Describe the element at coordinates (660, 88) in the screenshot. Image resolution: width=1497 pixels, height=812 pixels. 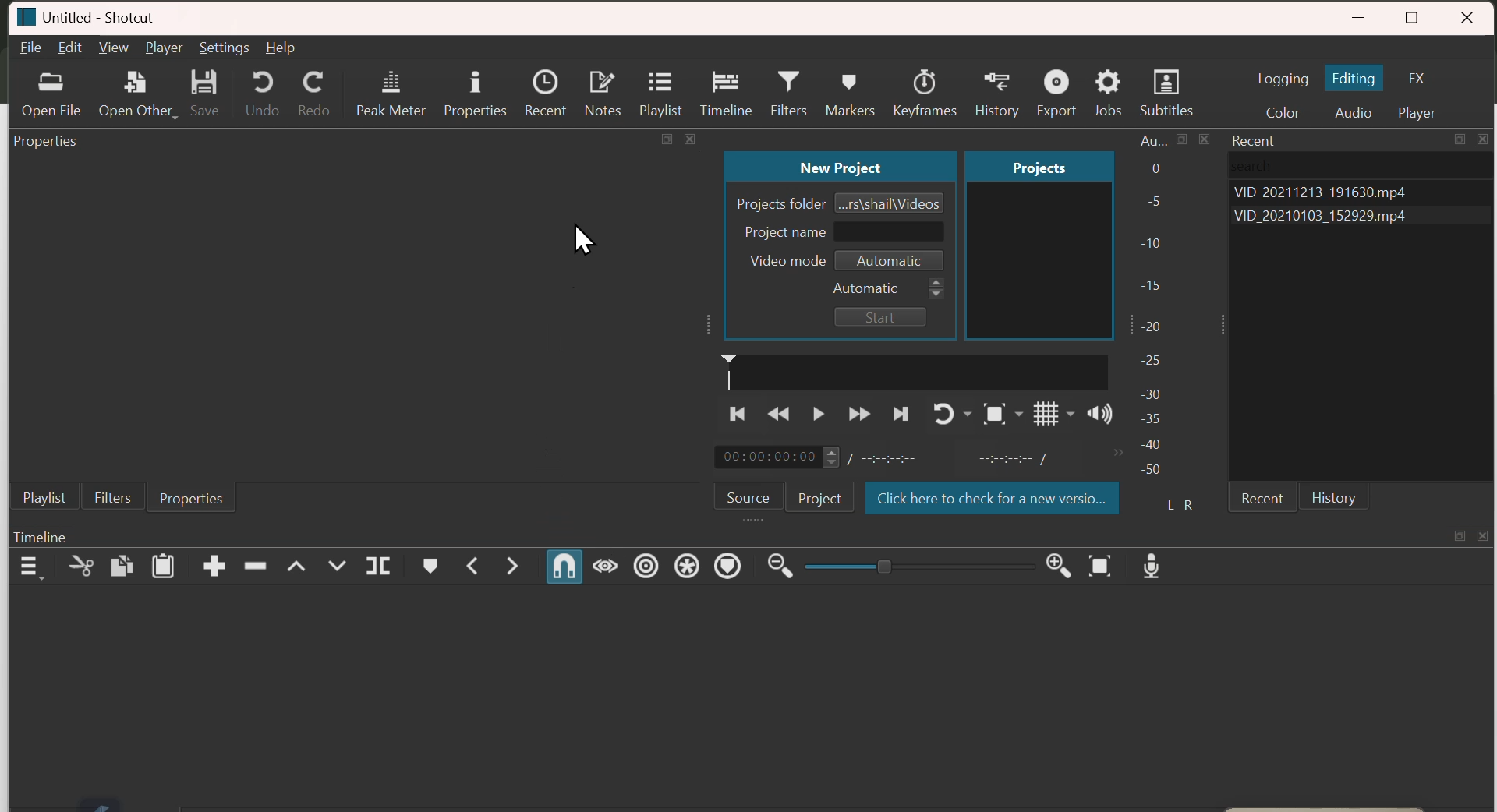
I see `Playlist` at that location.